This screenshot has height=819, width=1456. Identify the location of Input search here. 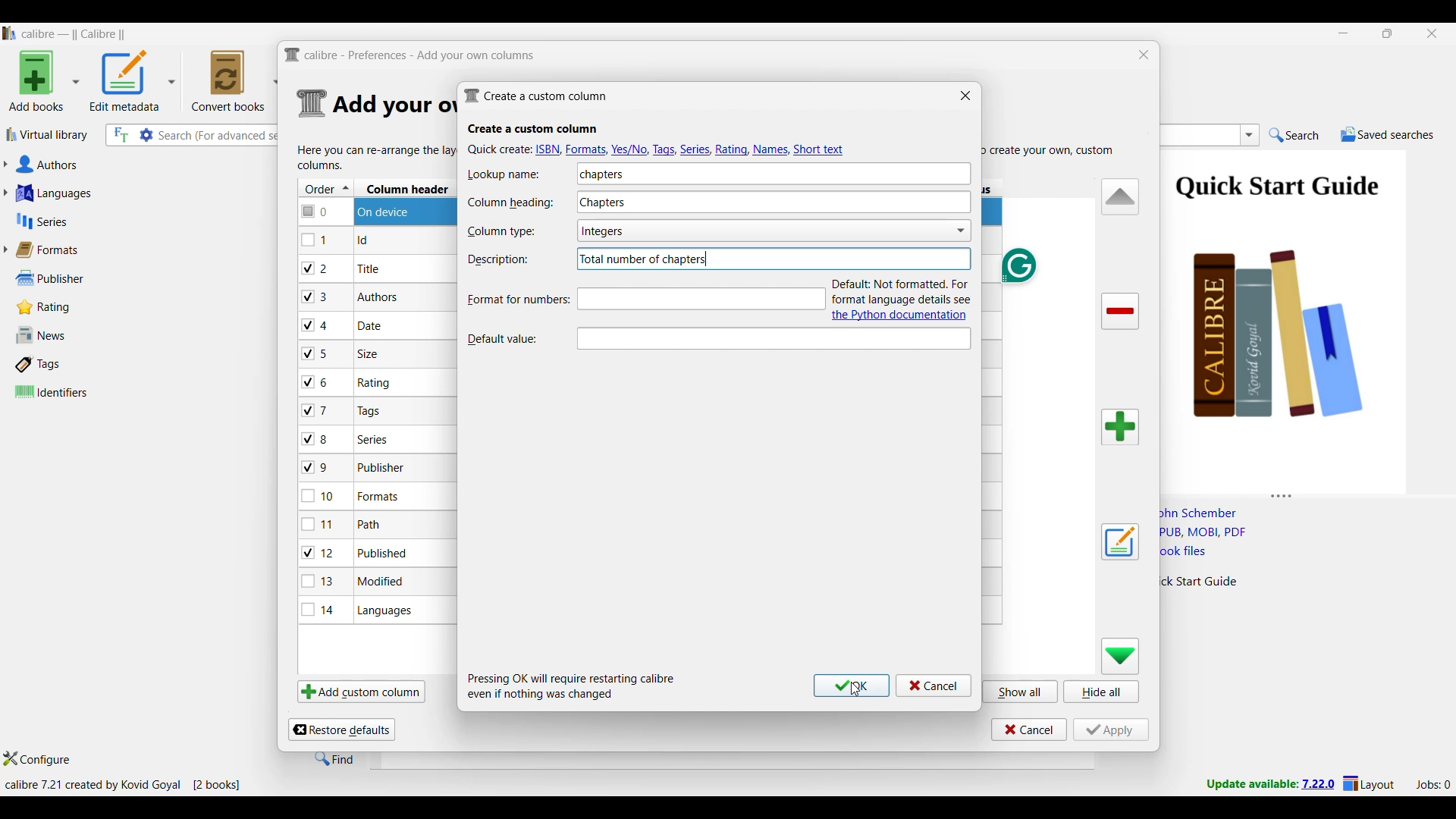
(220, 136).